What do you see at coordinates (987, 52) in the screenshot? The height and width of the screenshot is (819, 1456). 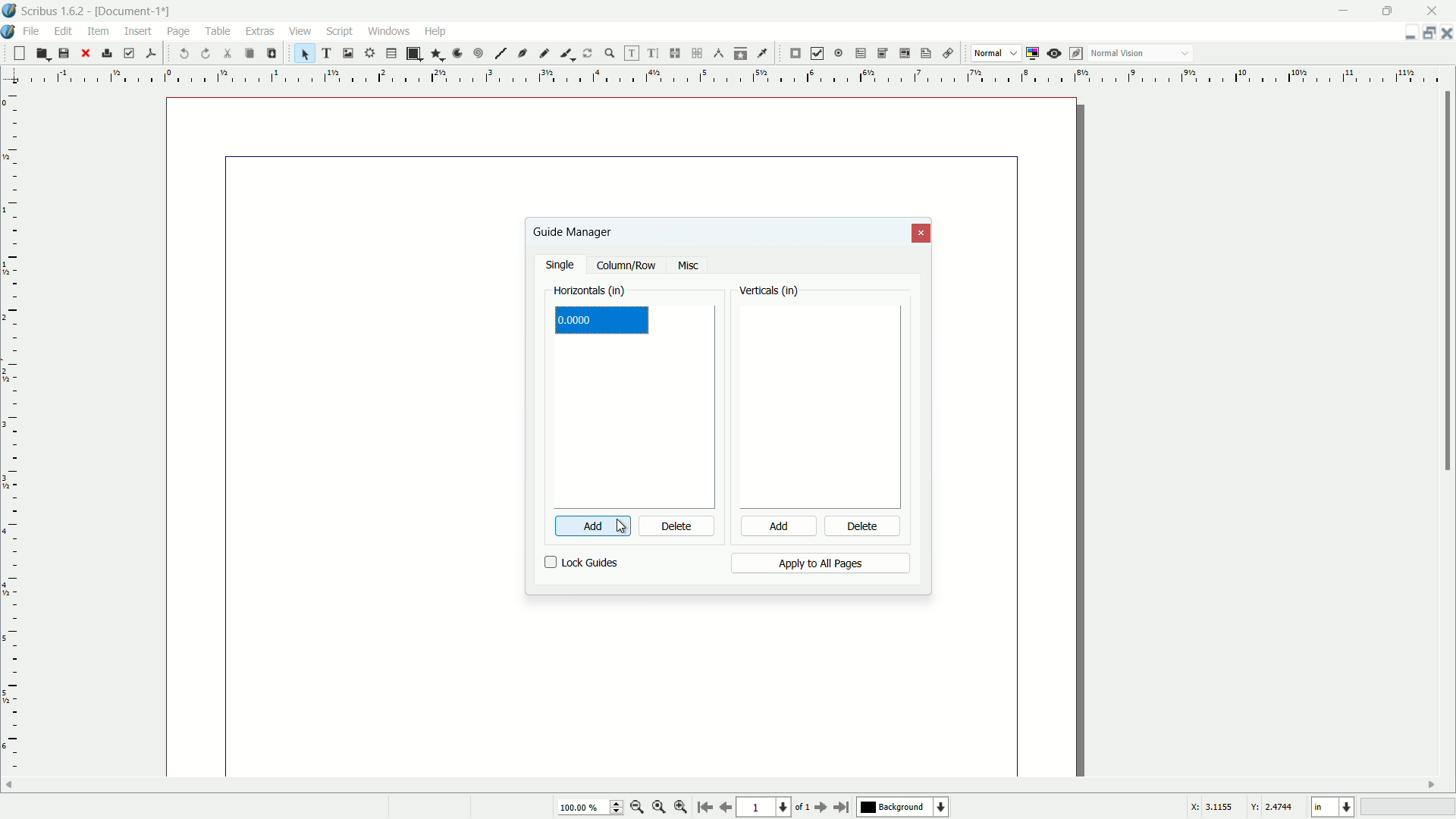 I see `normal` at bounding box center [987, 52].